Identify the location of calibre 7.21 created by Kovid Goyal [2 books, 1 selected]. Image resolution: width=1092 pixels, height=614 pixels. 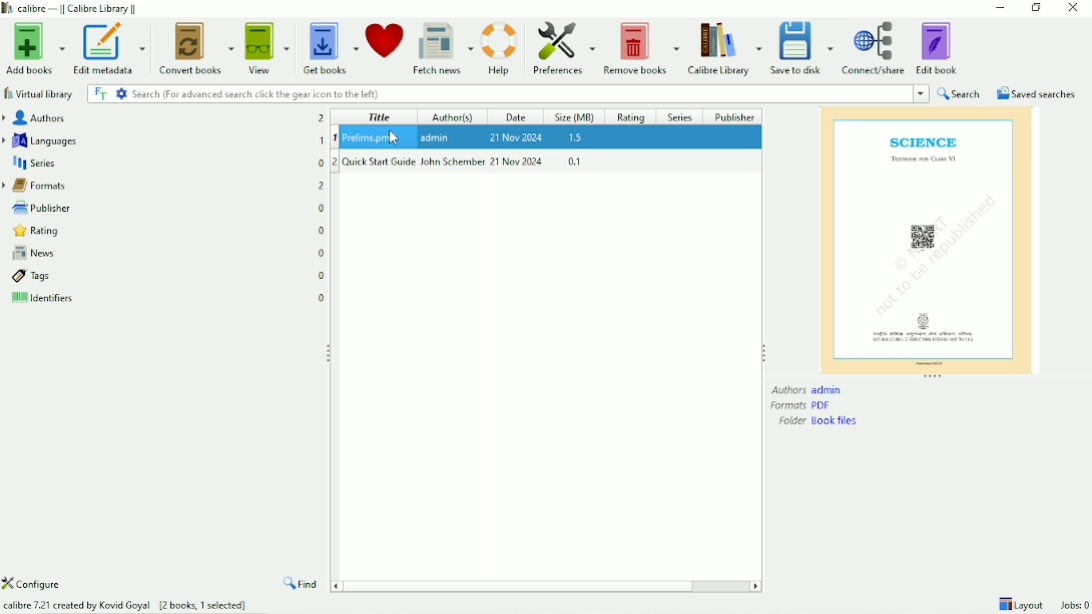
(126, 603).